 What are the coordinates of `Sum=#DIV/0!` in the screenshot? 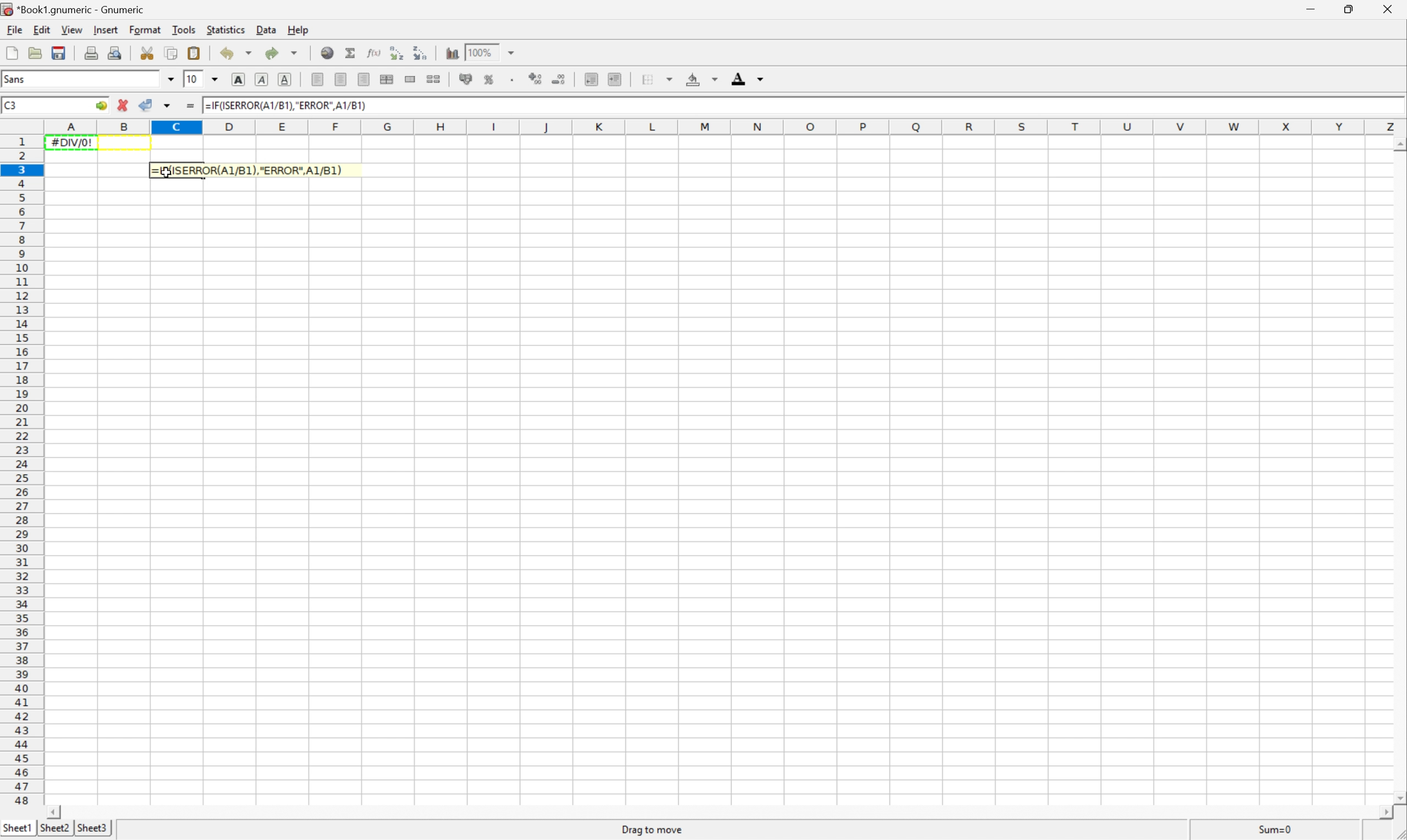 It's located at (1272, 827).